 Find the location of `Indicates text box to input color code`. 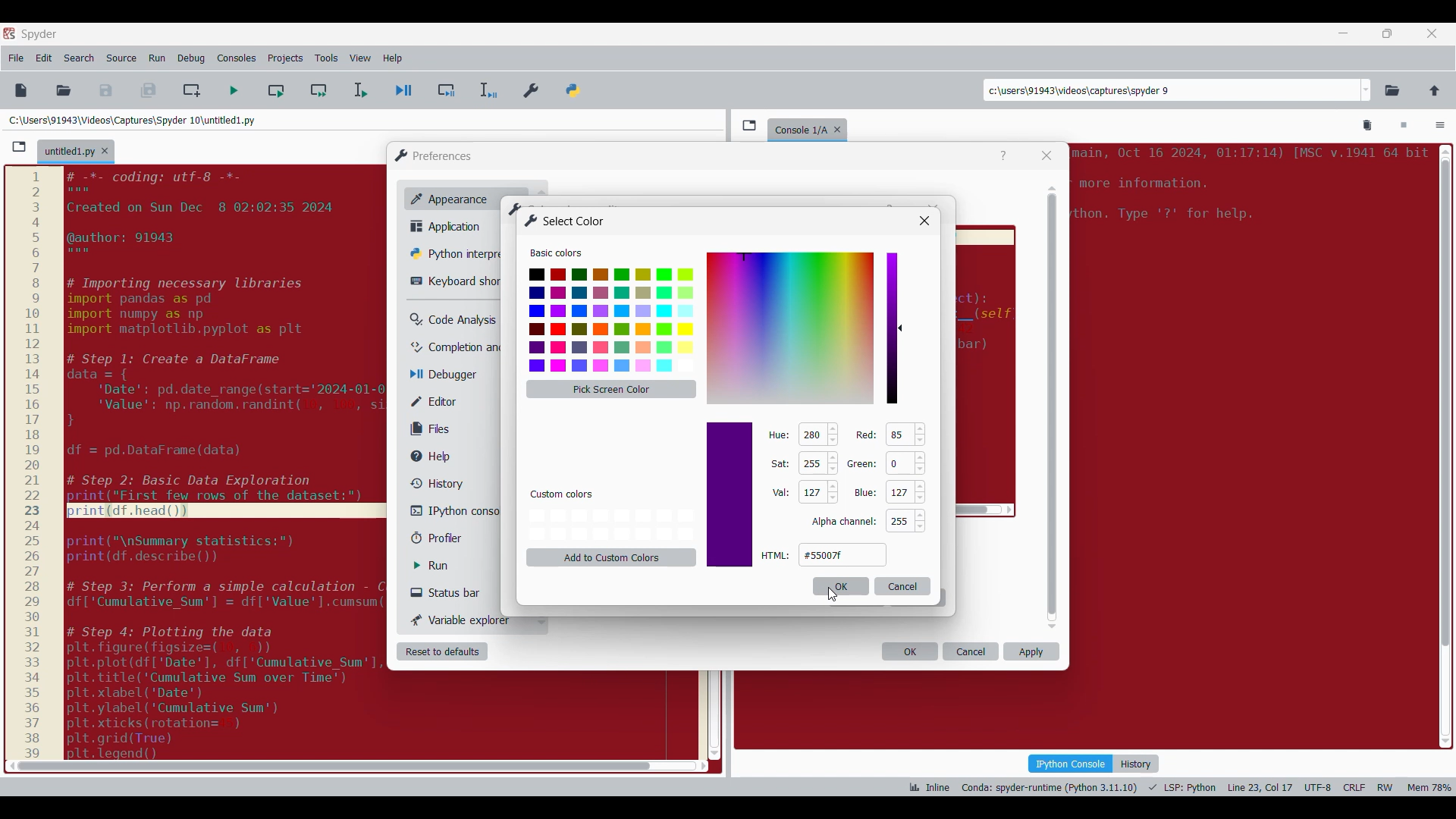

Indicates text box to input color code is located at coordinates (776, 555).